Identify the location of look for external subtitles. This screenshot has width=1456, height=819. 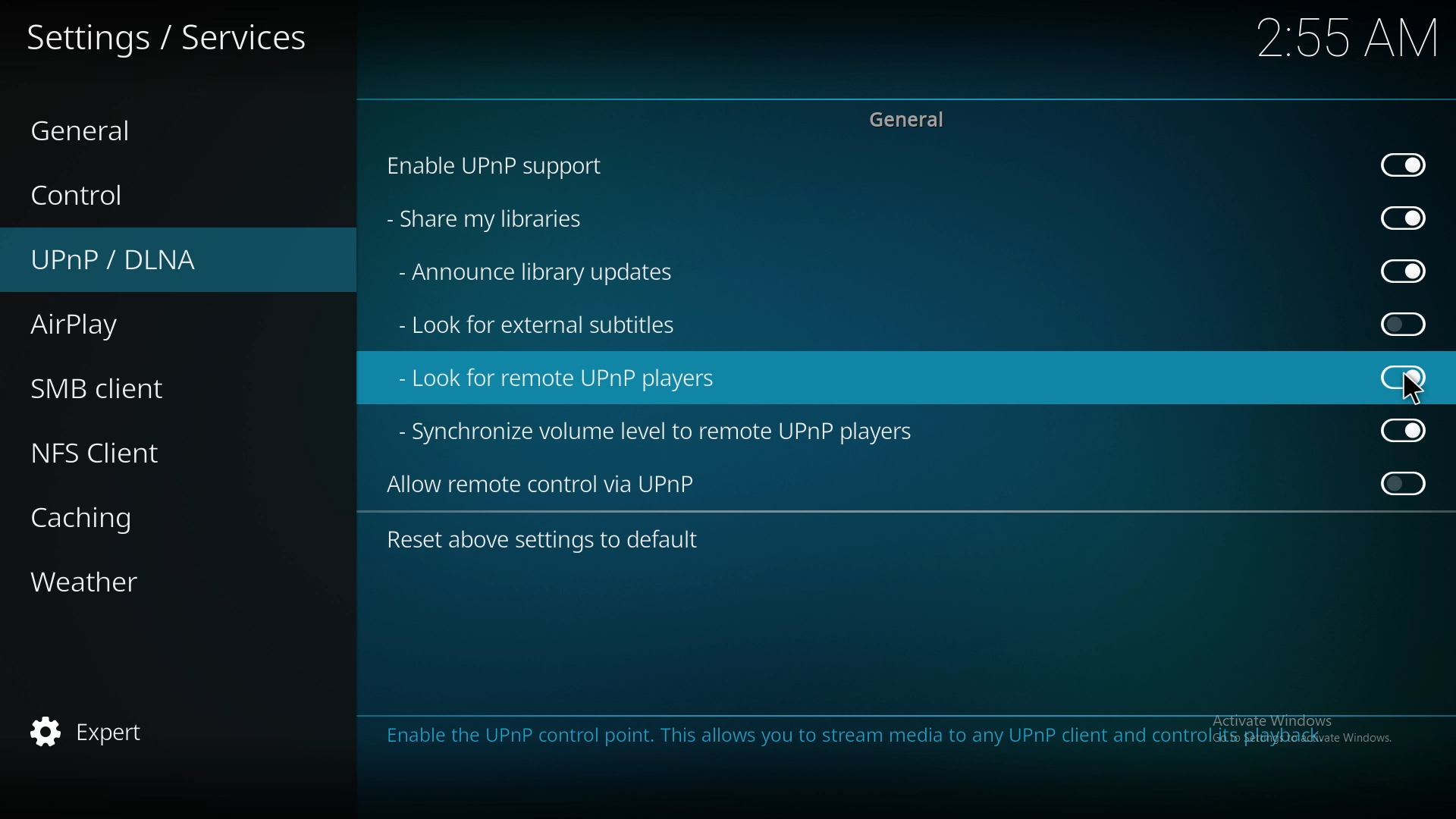
(557, 322).